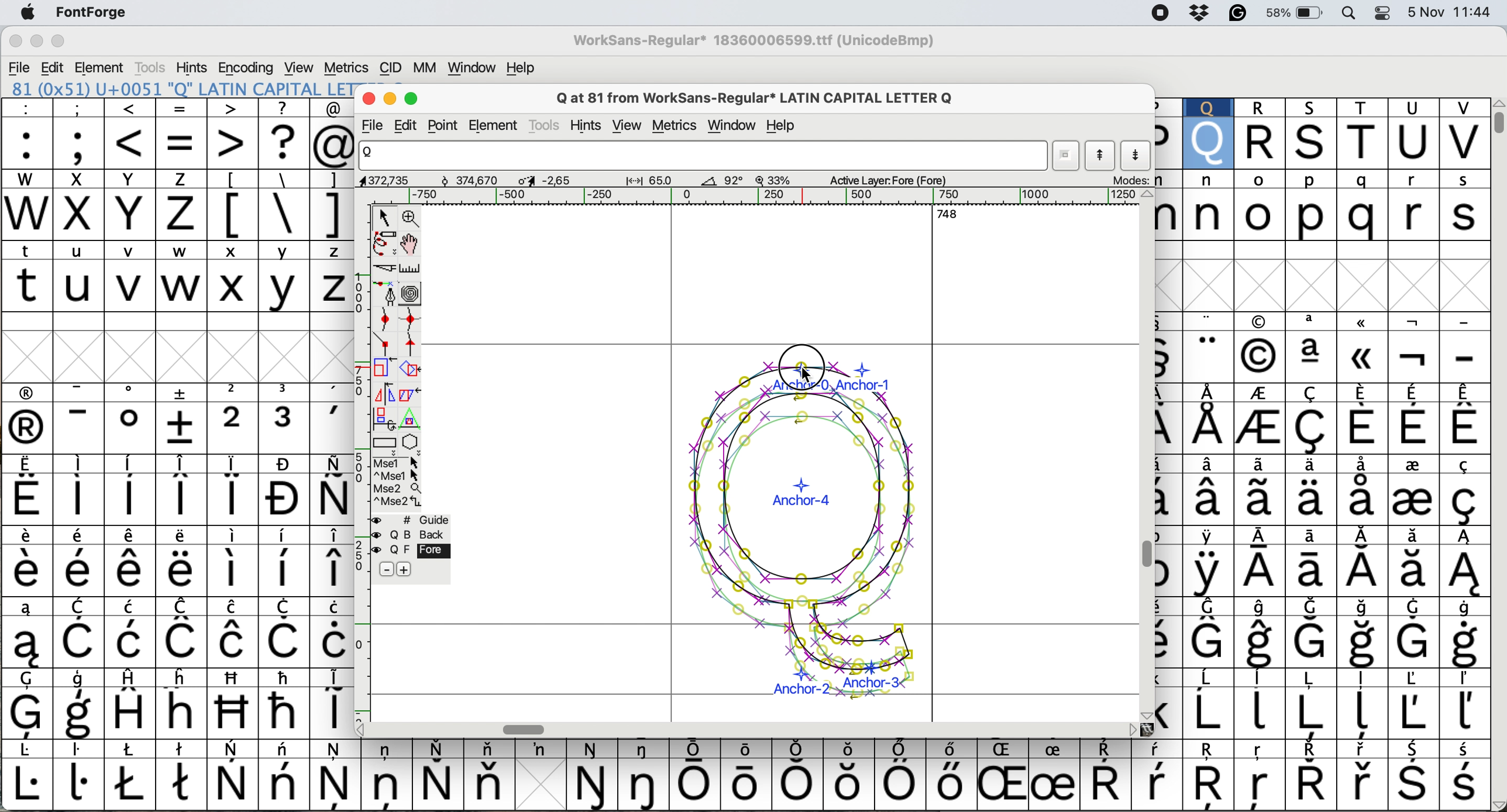 This screenshot has height=812, width=1507. I want to click on add, so click(416, 570).